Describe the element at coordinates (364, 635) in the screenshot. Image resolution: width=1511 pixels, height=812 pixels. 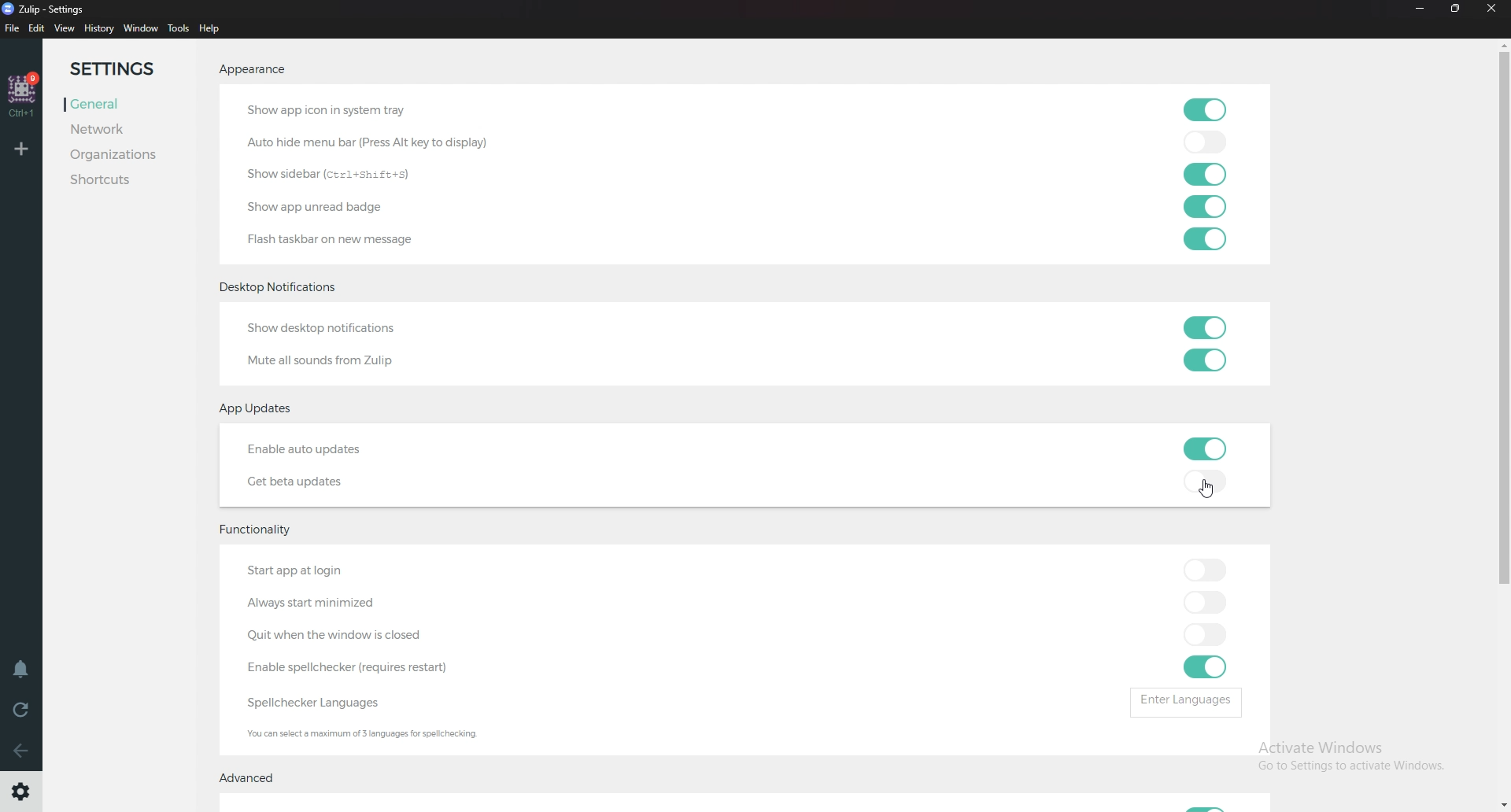
I see `Quit when Windows closed` at that location.